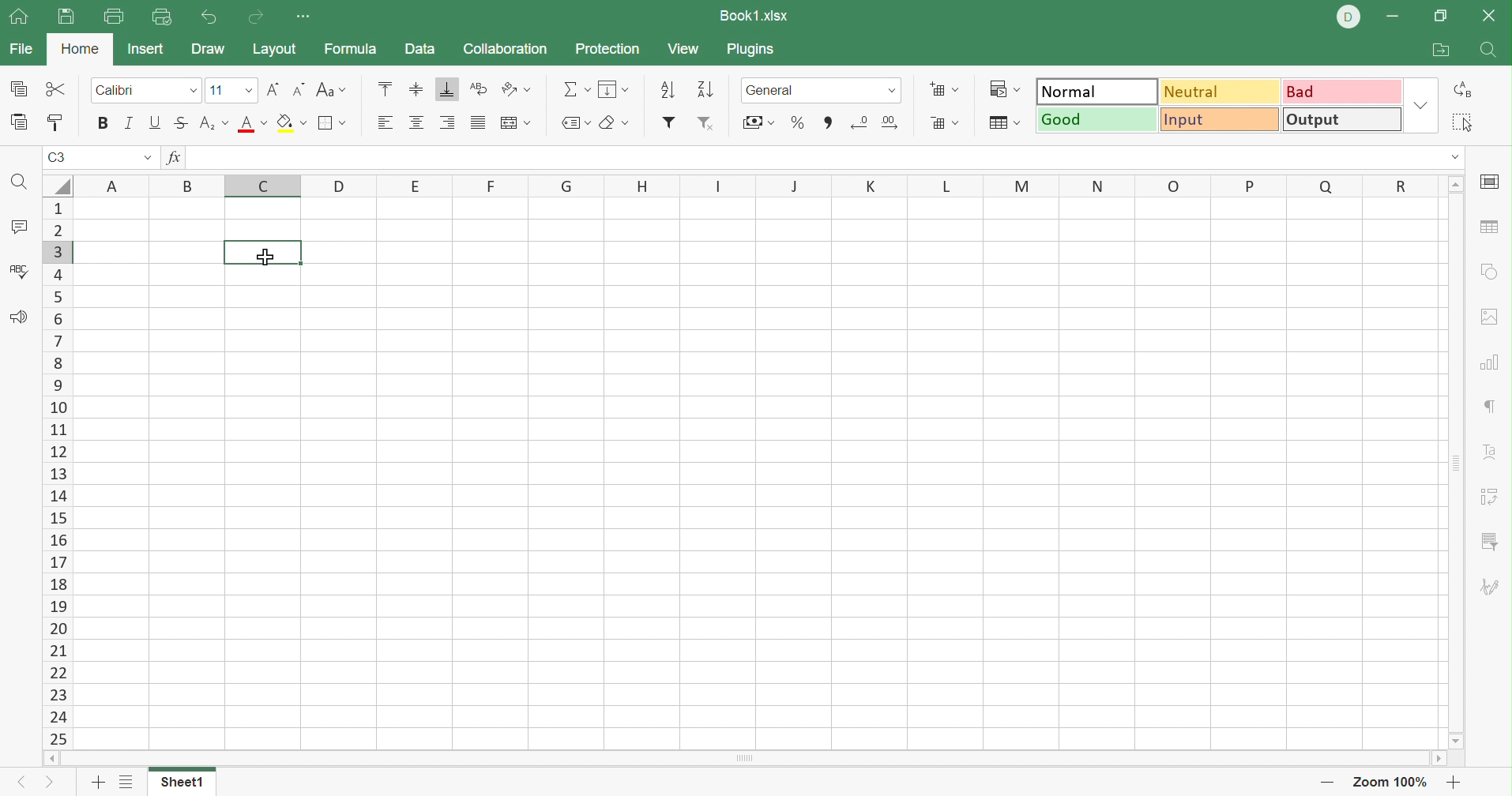 This screenshot has width=1512, height=796. I want to click on Increment font size, so click(270, 89).